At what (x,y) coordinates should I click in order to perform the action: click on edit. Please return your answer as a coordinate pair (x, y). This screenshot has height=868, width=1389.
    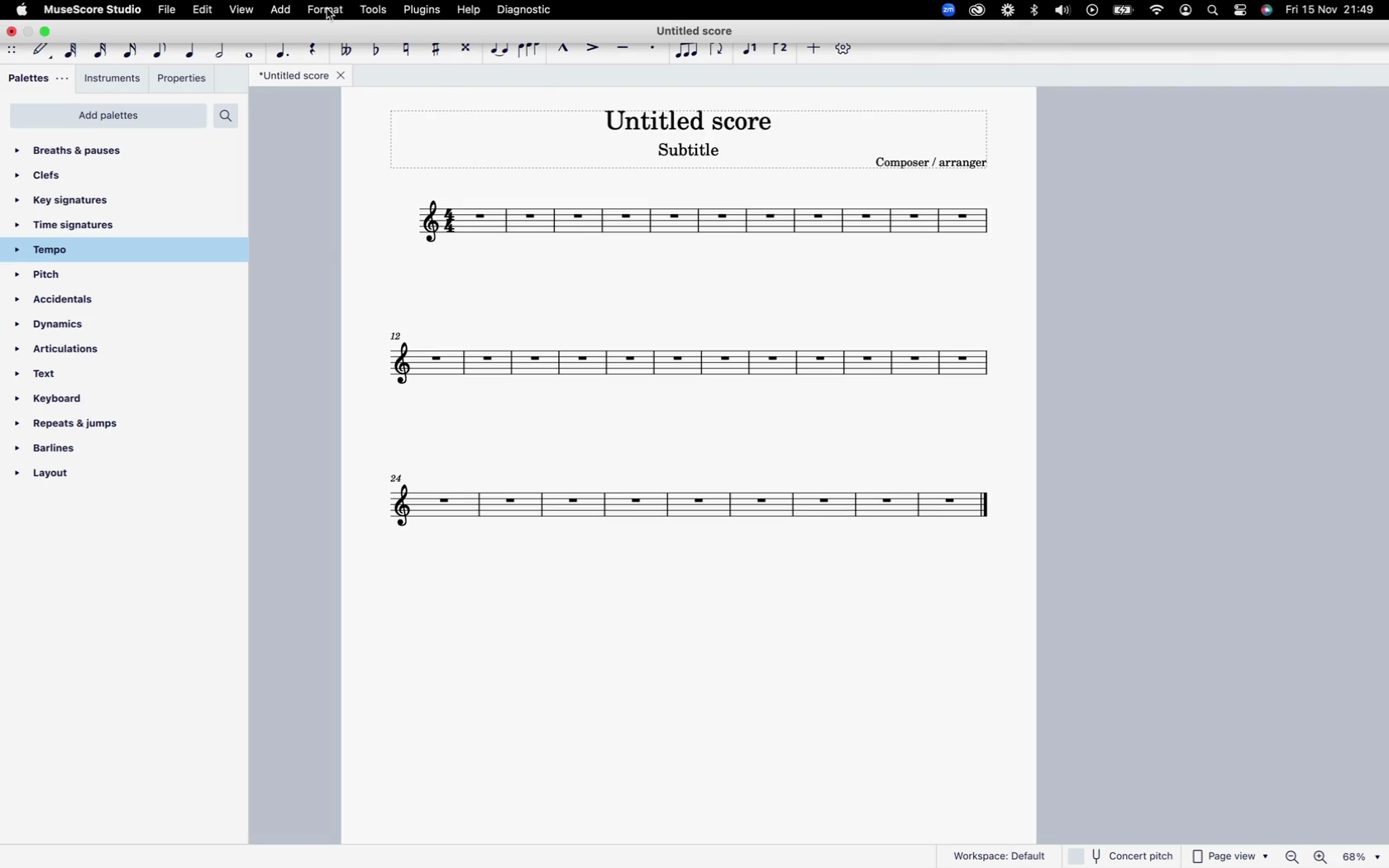
    Looking at the image, I should click on (206, 8).